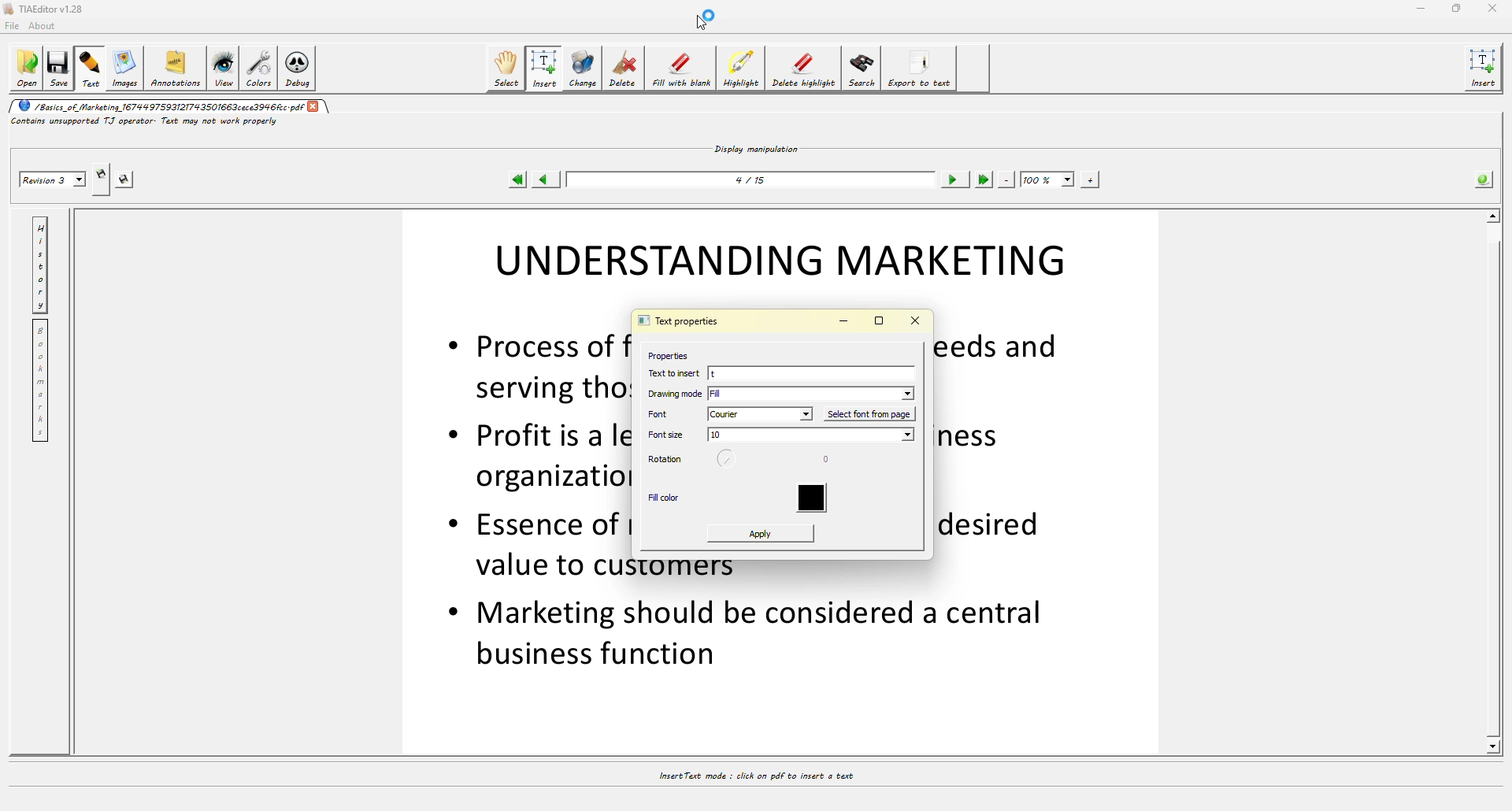 This screenshot has width=1512, height=811. Describe the element at coordinates (583, 68) in the screenshot. I see `change` at that location.